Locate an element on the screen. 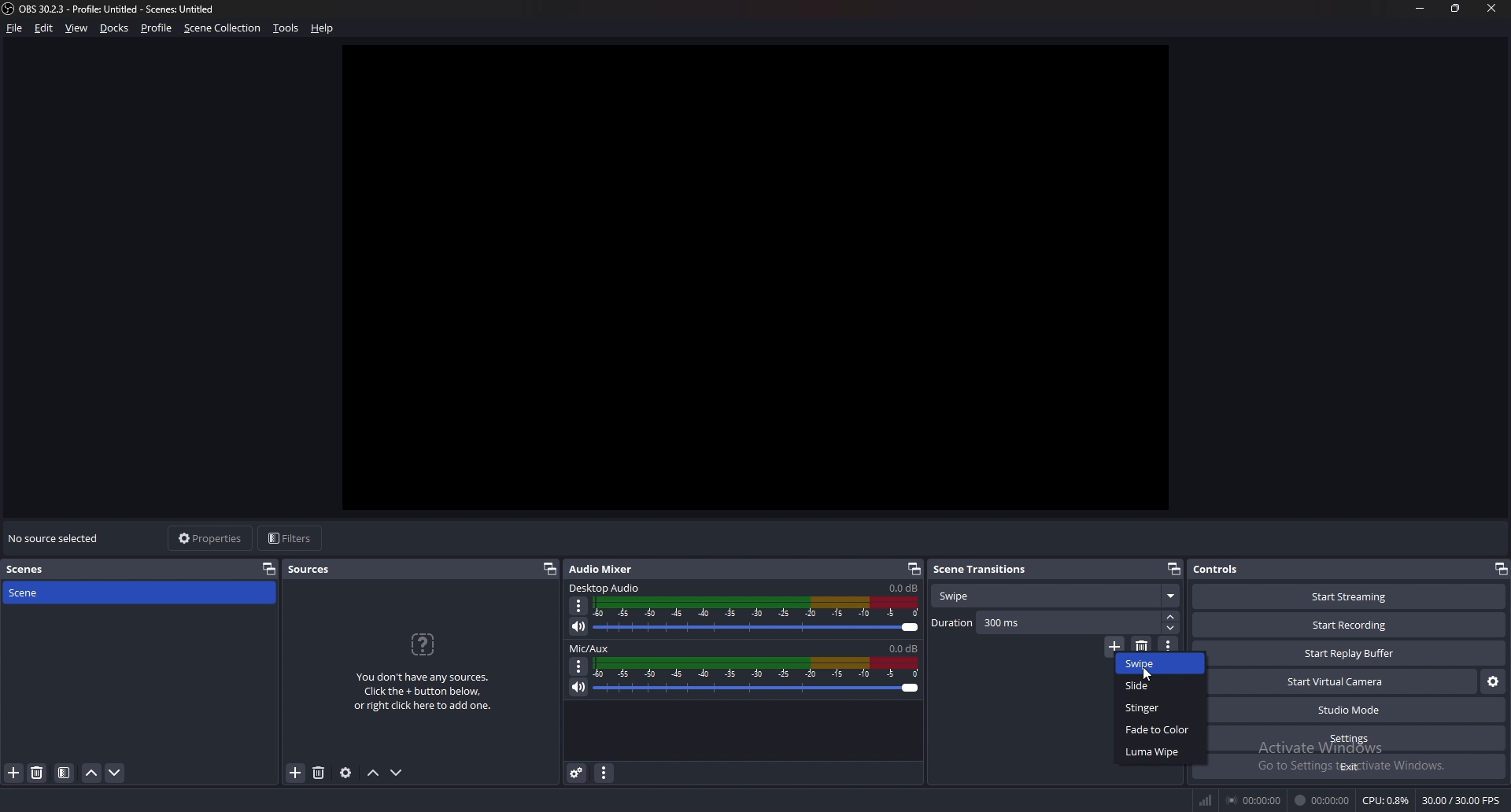 This screenshot has width=1511, height=812. desktop audio is located at coordinates (605, 587).